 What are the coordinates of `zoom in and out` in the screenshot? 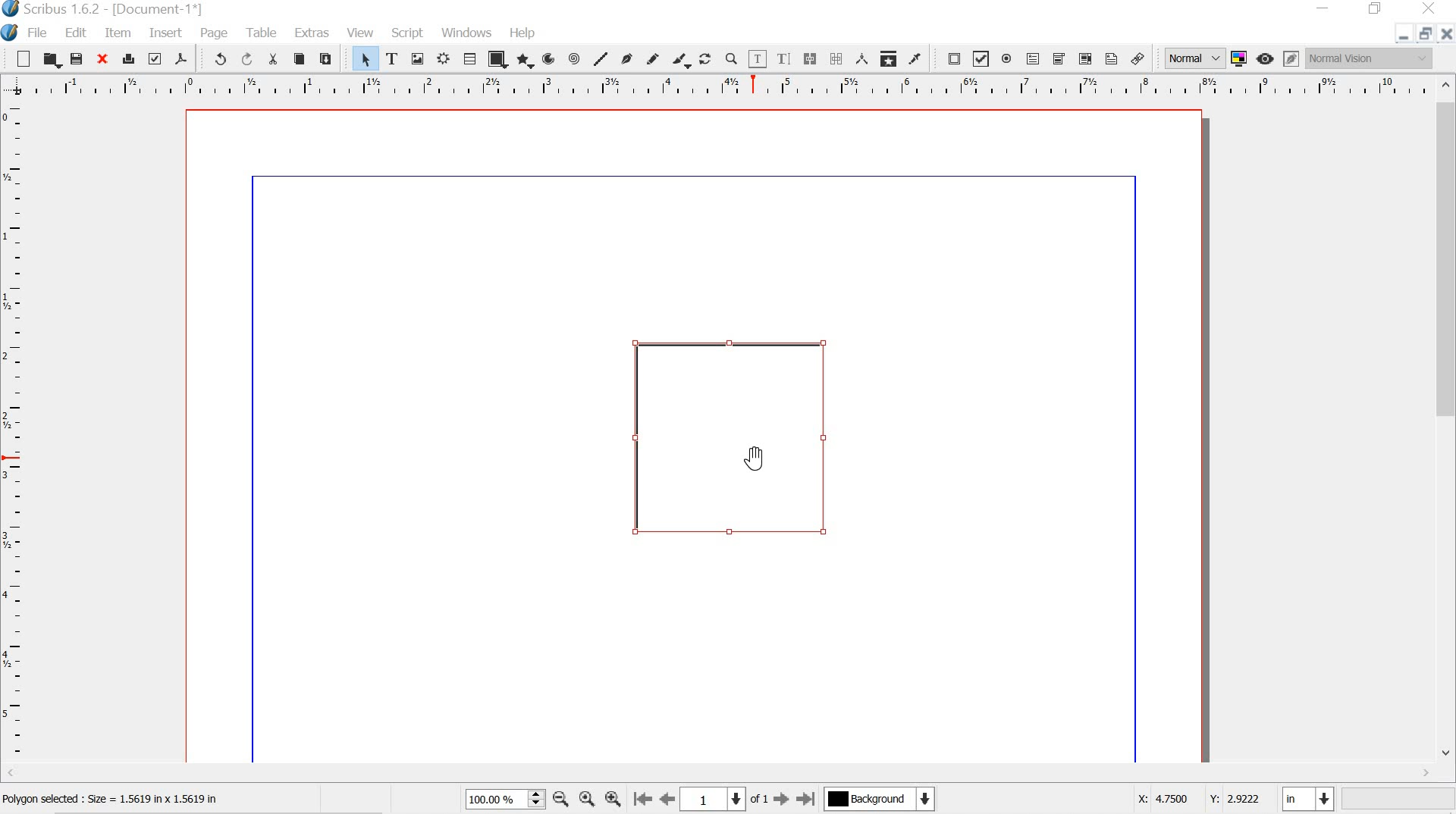 It's located at (534, 799).